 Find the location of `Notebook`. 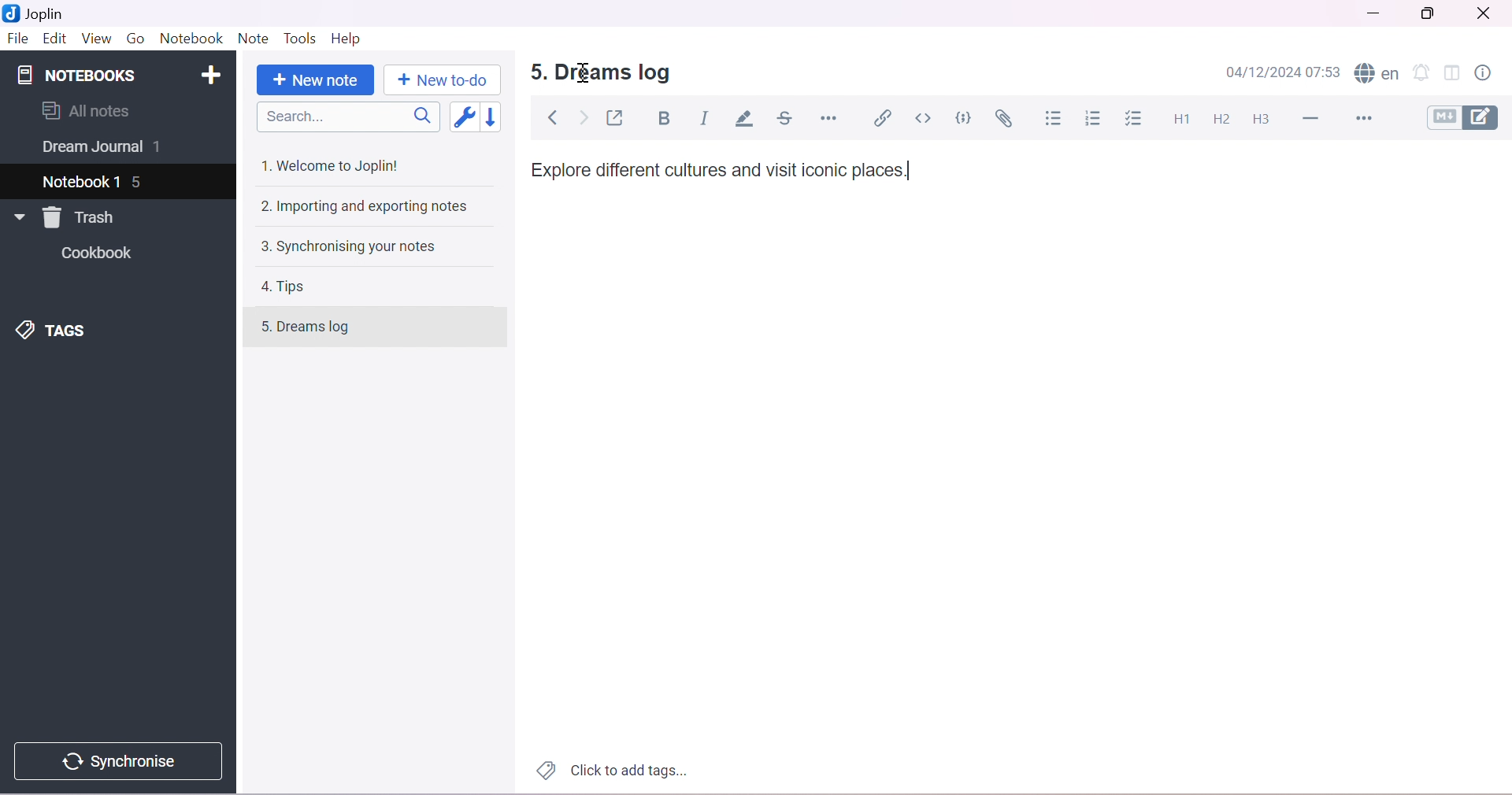

Notebook is located at coordinates (193, 39).